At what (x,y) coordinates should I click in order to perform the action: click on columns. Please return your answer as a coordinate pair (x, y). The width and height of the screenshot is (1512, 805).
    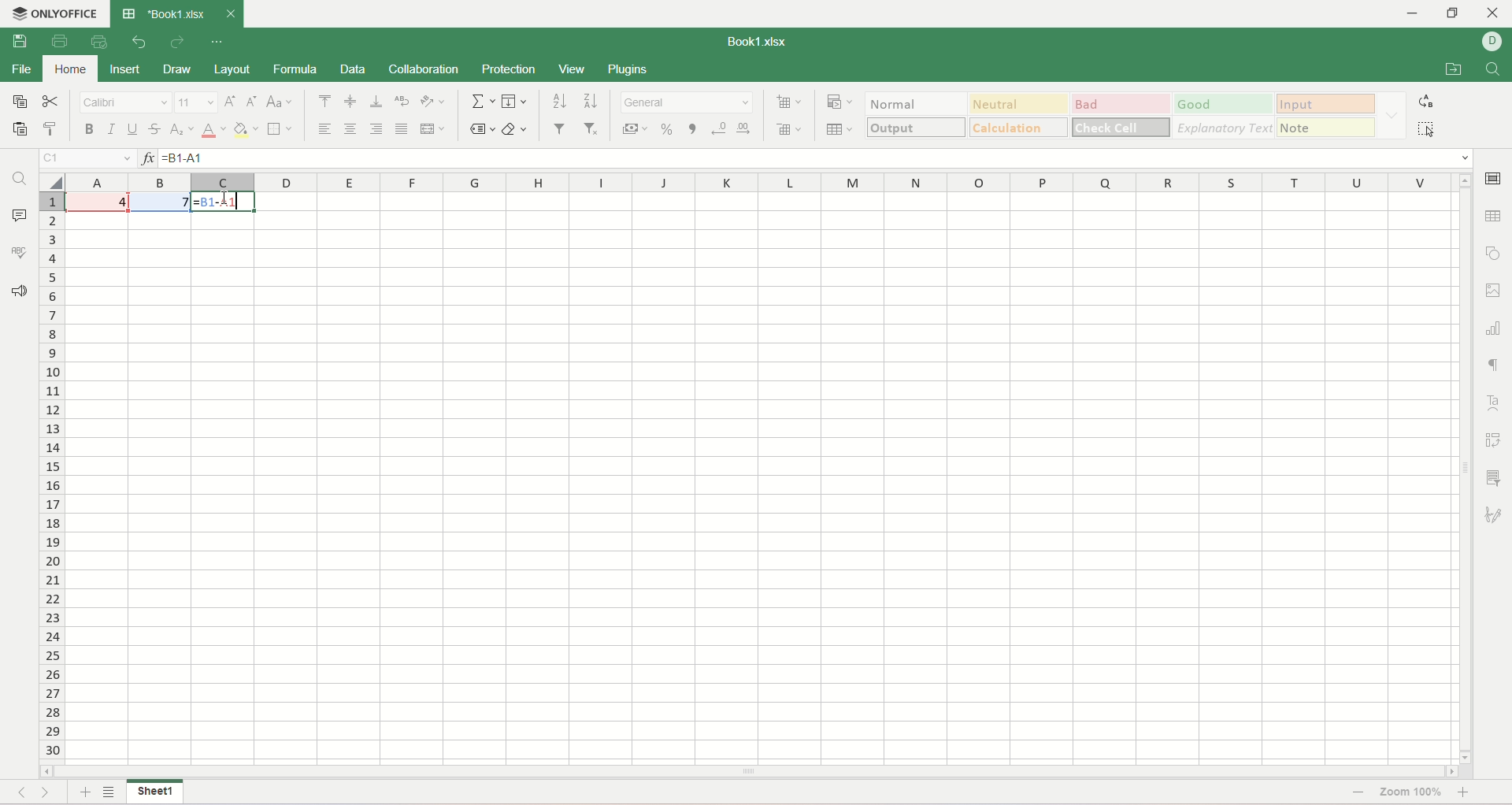
    Looking at the image, I should click on (762, 182).